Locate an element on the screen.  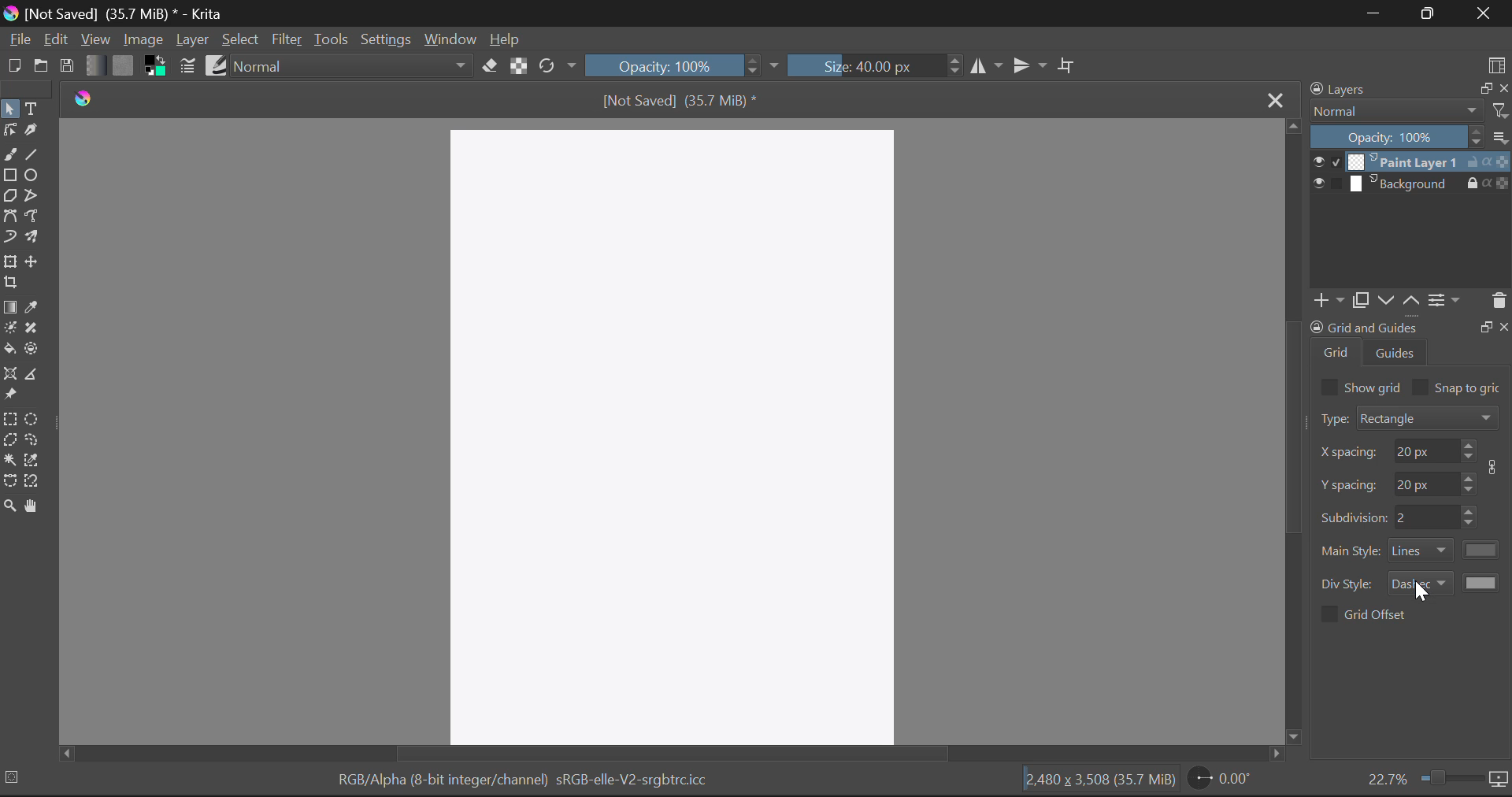
Scroll Bar is located at coordinates (662, 755).